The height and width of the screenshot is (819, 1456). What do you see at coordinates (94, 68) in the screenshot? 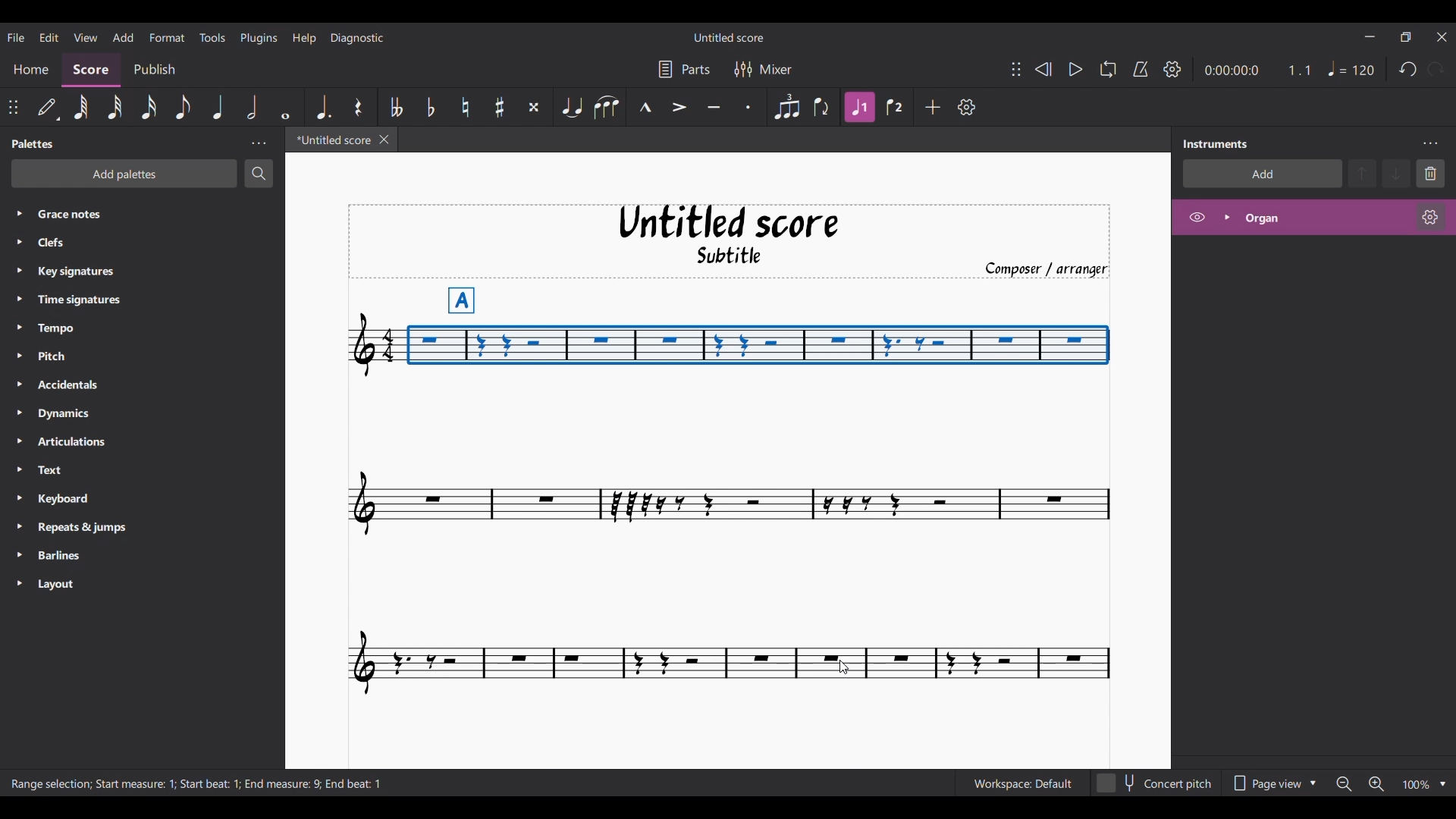
I see `Score section, current selection highlighted` at bounding box center [94, 68].